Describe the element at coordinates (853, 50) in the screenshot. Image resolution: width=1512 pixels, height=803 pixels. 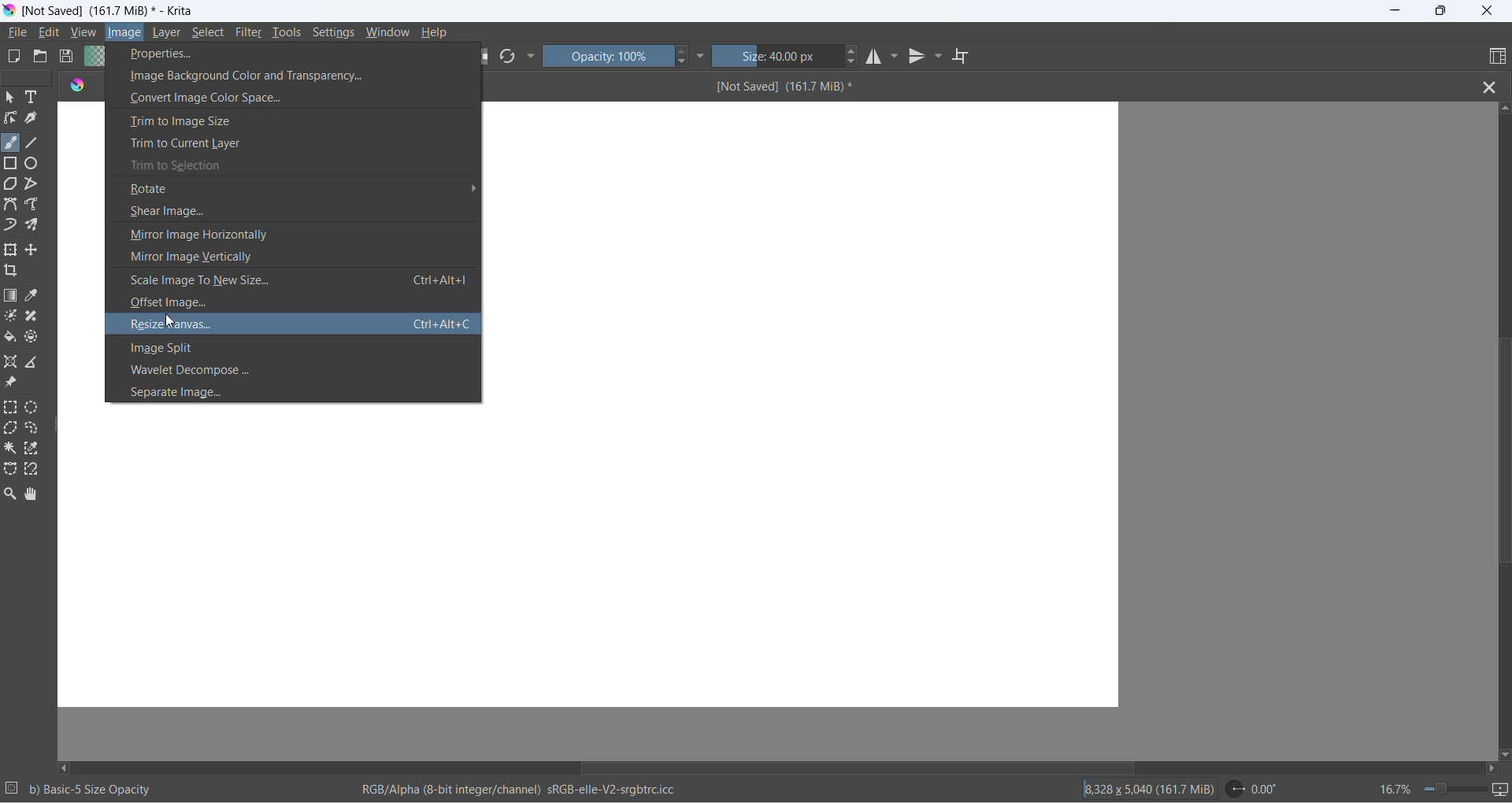
I see `increment size` at that location.